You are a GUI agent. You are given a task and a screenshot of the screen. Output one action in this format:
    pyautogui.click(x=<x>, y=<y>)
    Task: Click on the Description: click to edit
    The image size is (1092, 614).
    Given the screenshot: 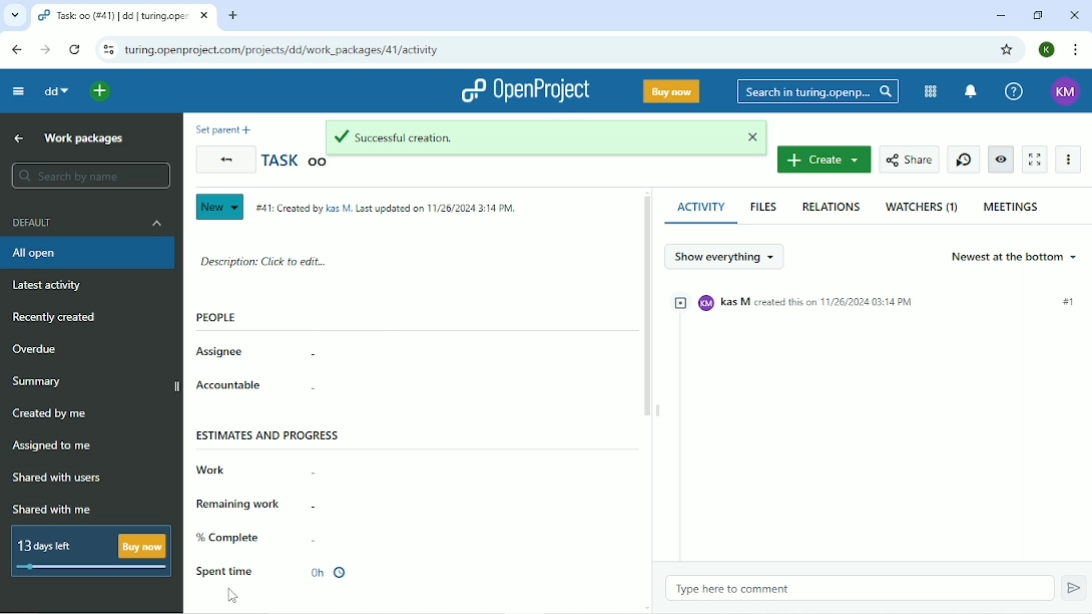 What is the action you would take?
    pyautogui.click(x=263, y=262)
    